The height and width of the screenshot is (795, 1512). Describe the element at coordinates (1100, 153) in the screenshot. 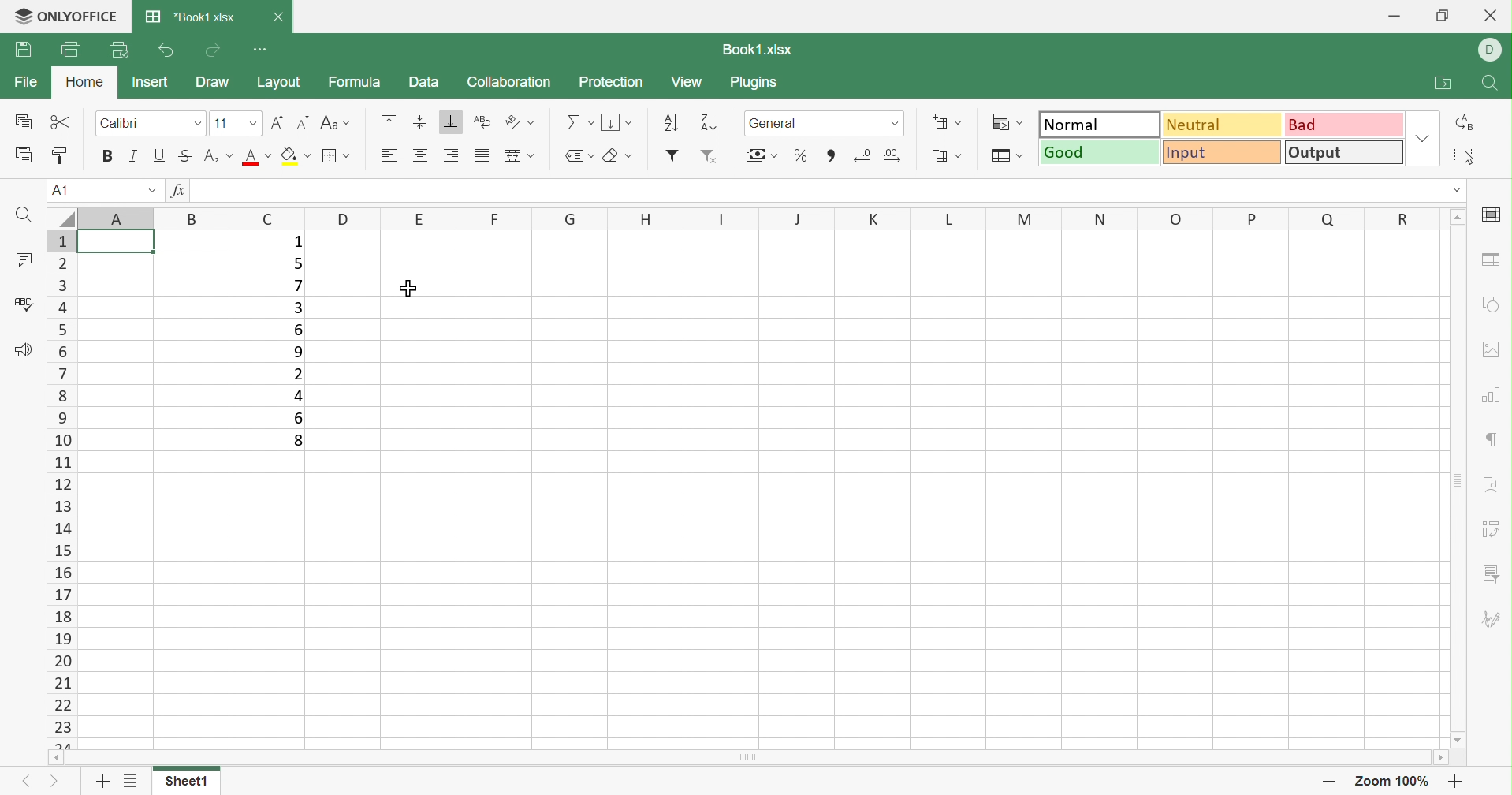

I see `Good` at that location.